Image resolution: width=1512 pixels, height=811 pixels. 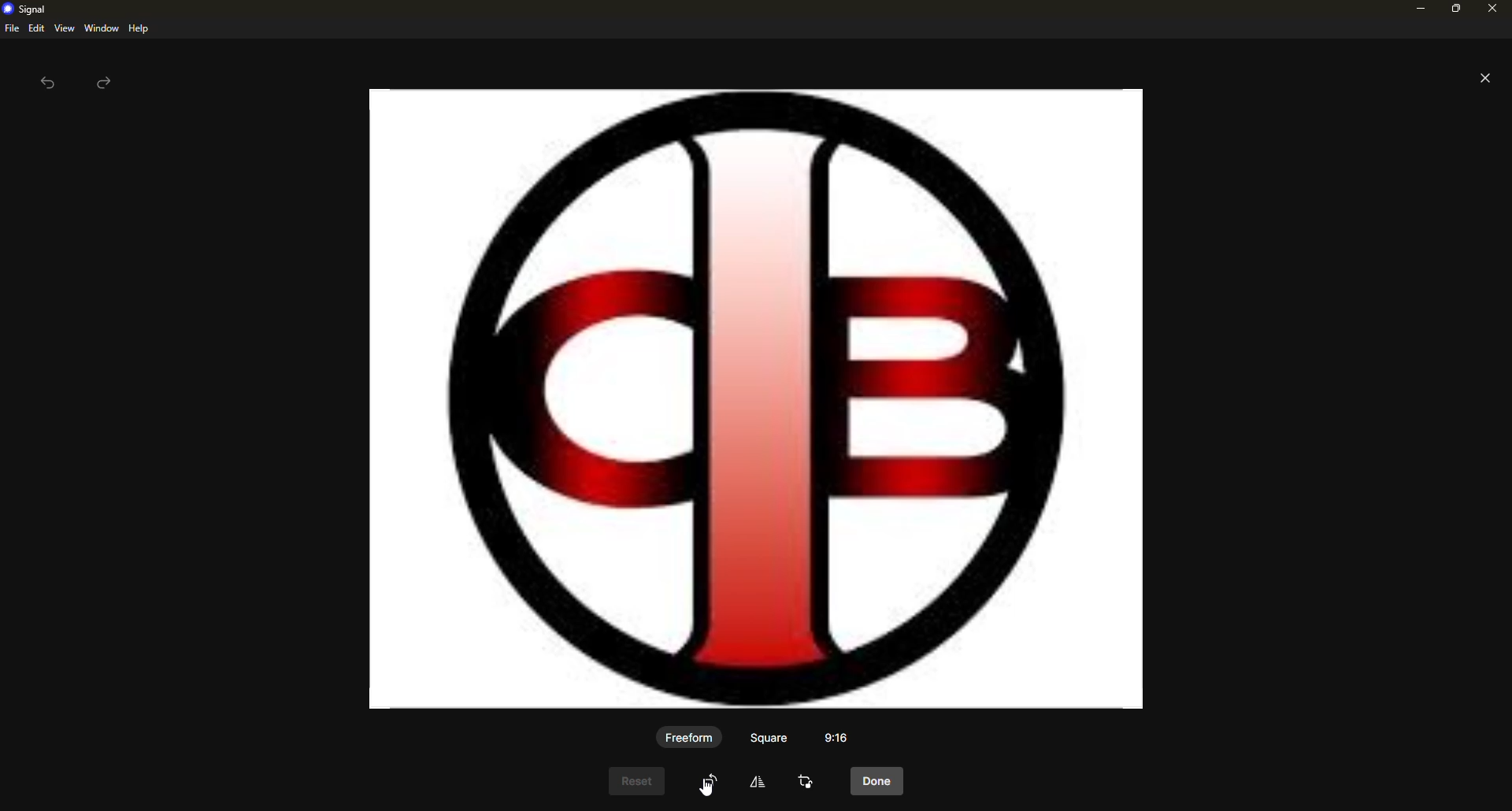 I want to click on view, so click(x=65, y=29).